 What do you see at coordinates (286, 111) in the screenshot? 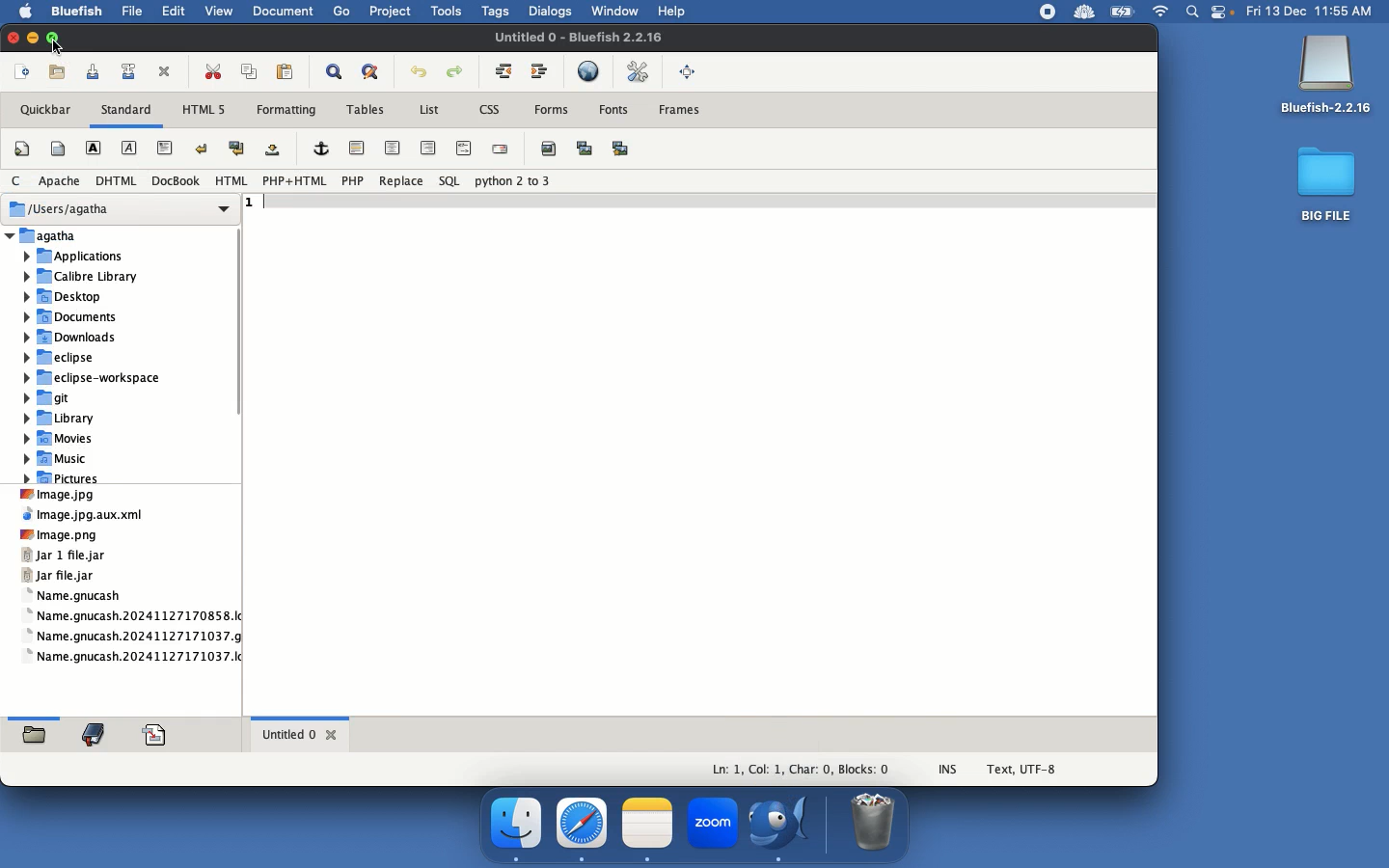
I see `Formatting` at bounding box center [286, 111].